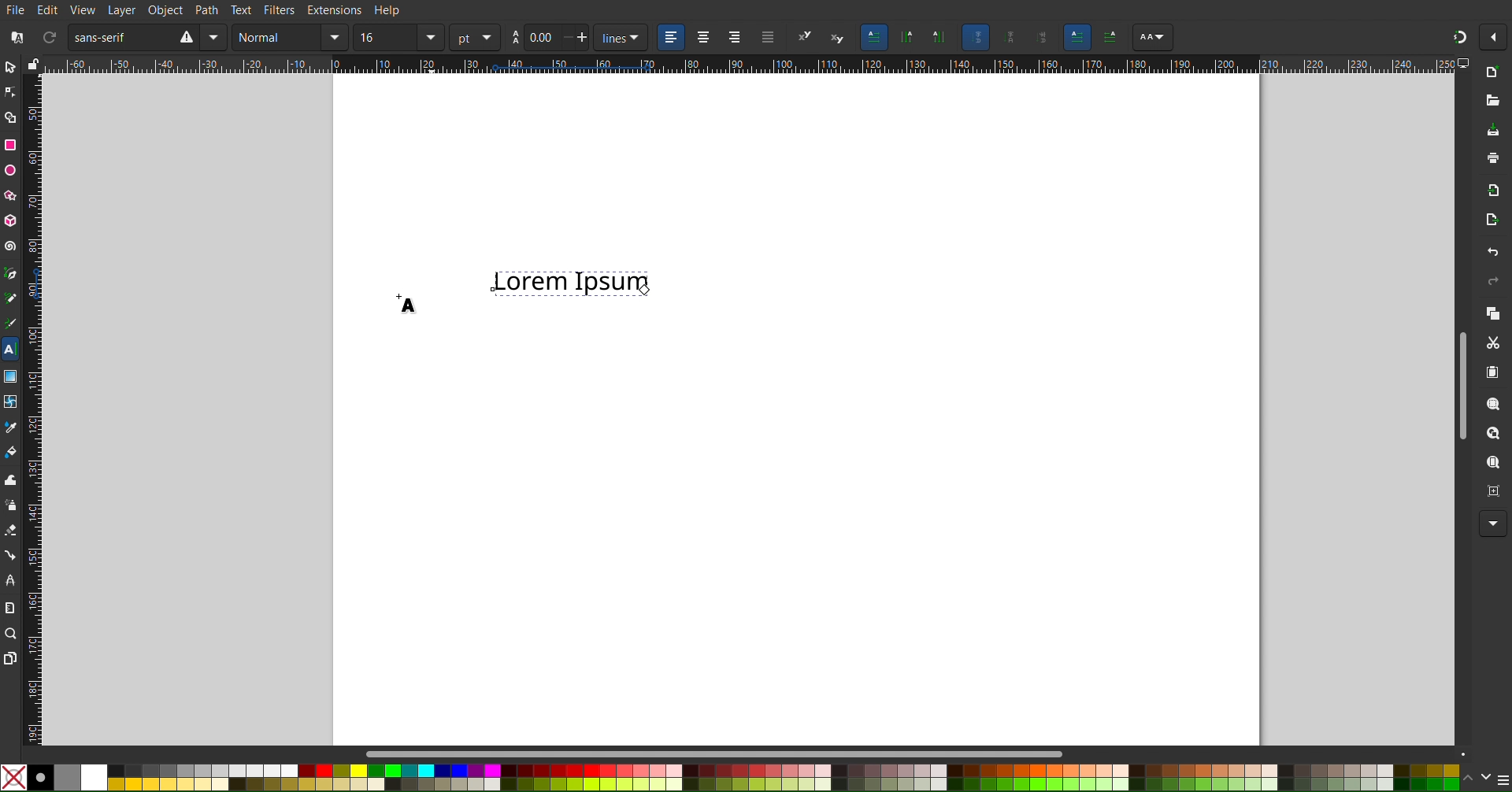  What do you see at coordinates (11, 117) in the screenshot?
I see `Shape Builder Tool` at bounding box center [11, 117].